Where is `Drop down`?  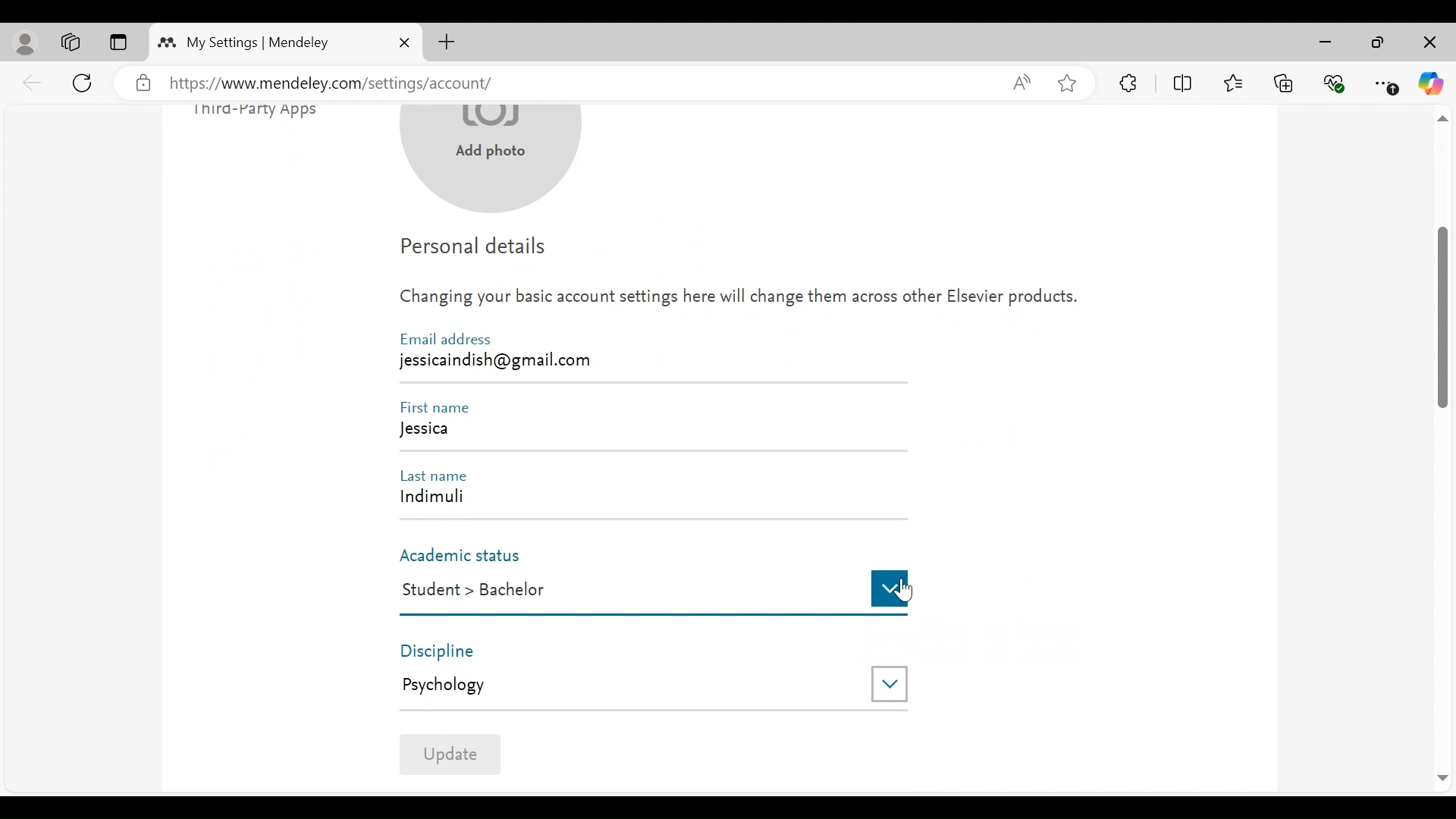 Drop down is located at coordinates (890, 588).